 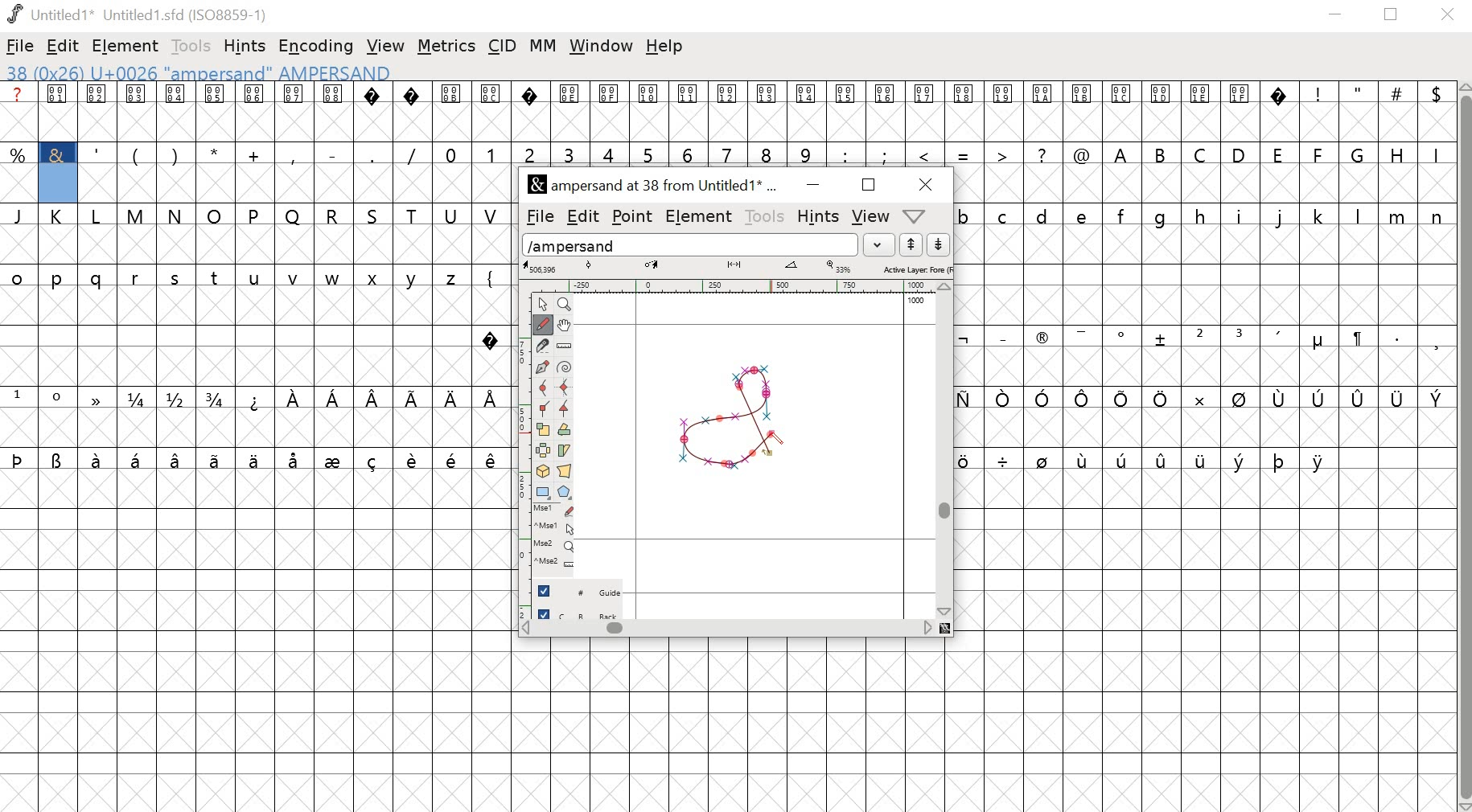 I want to click on angle between points, so click(x=792, y=268).